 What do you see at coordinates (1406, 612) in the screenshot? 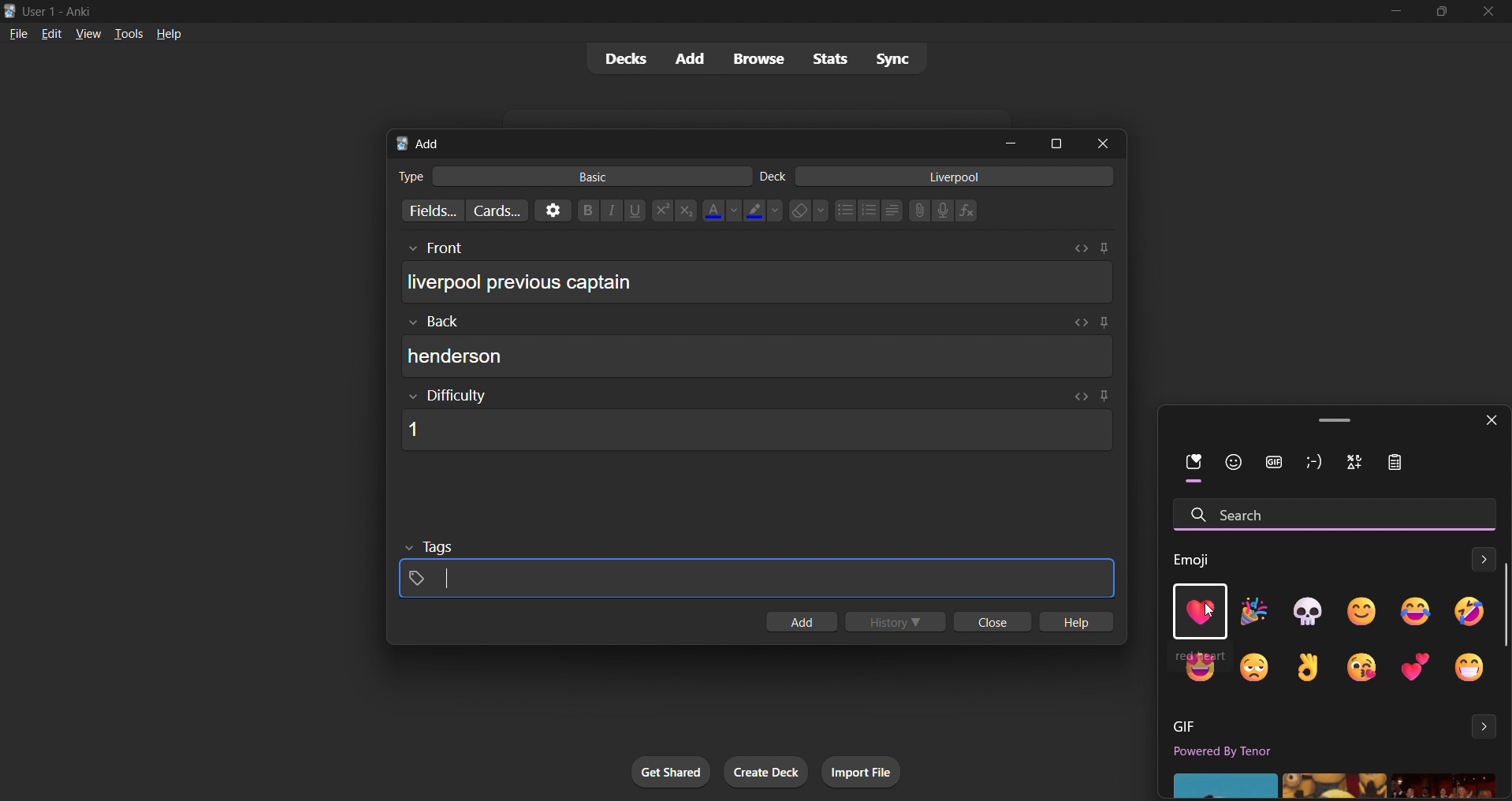
I see `emoji` at bounding box center [1406, 612].